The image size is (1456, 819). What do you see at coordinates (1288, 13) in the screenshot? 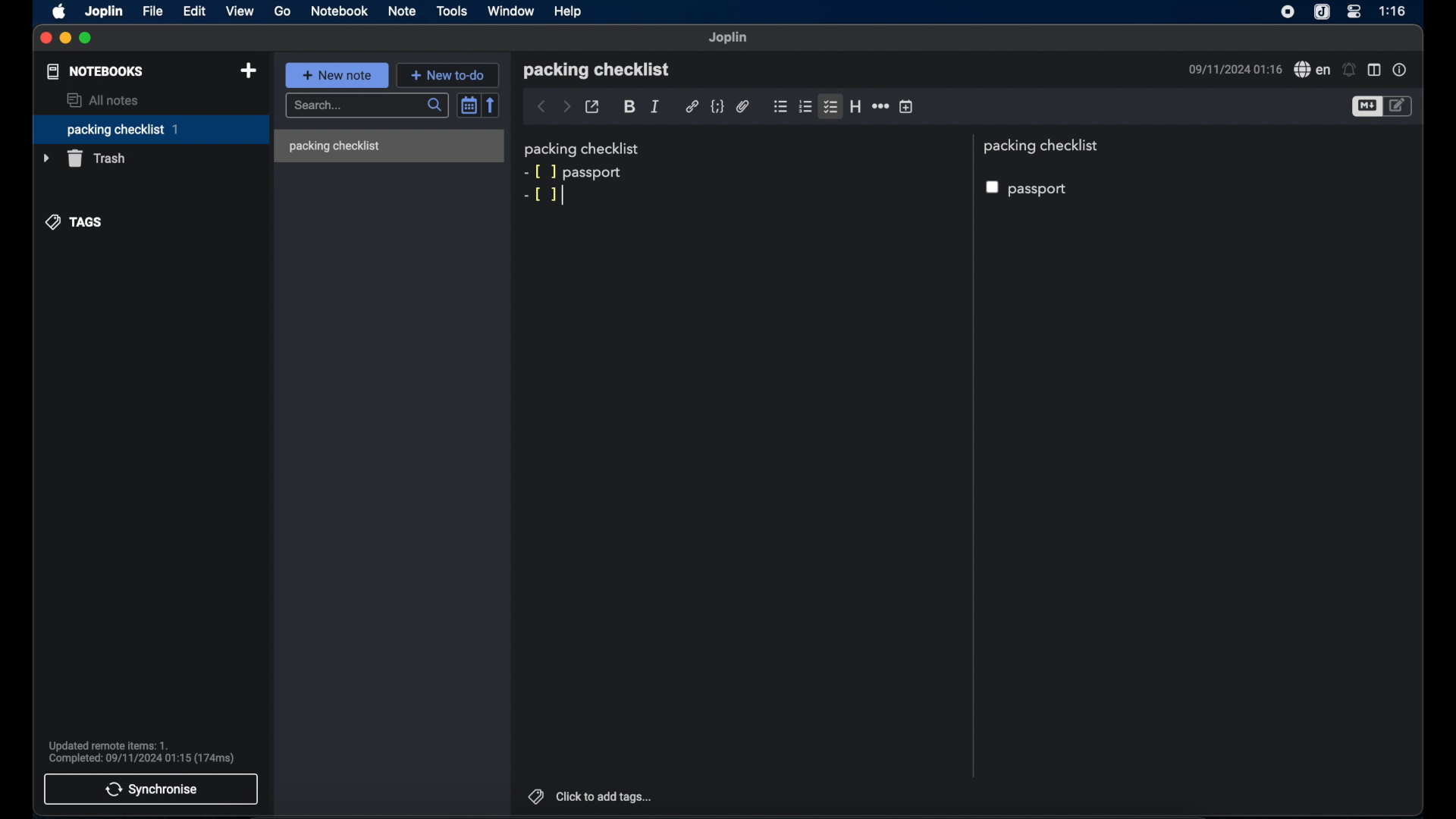
I see `screen recorder icon` at bounding box center [1288, 13].